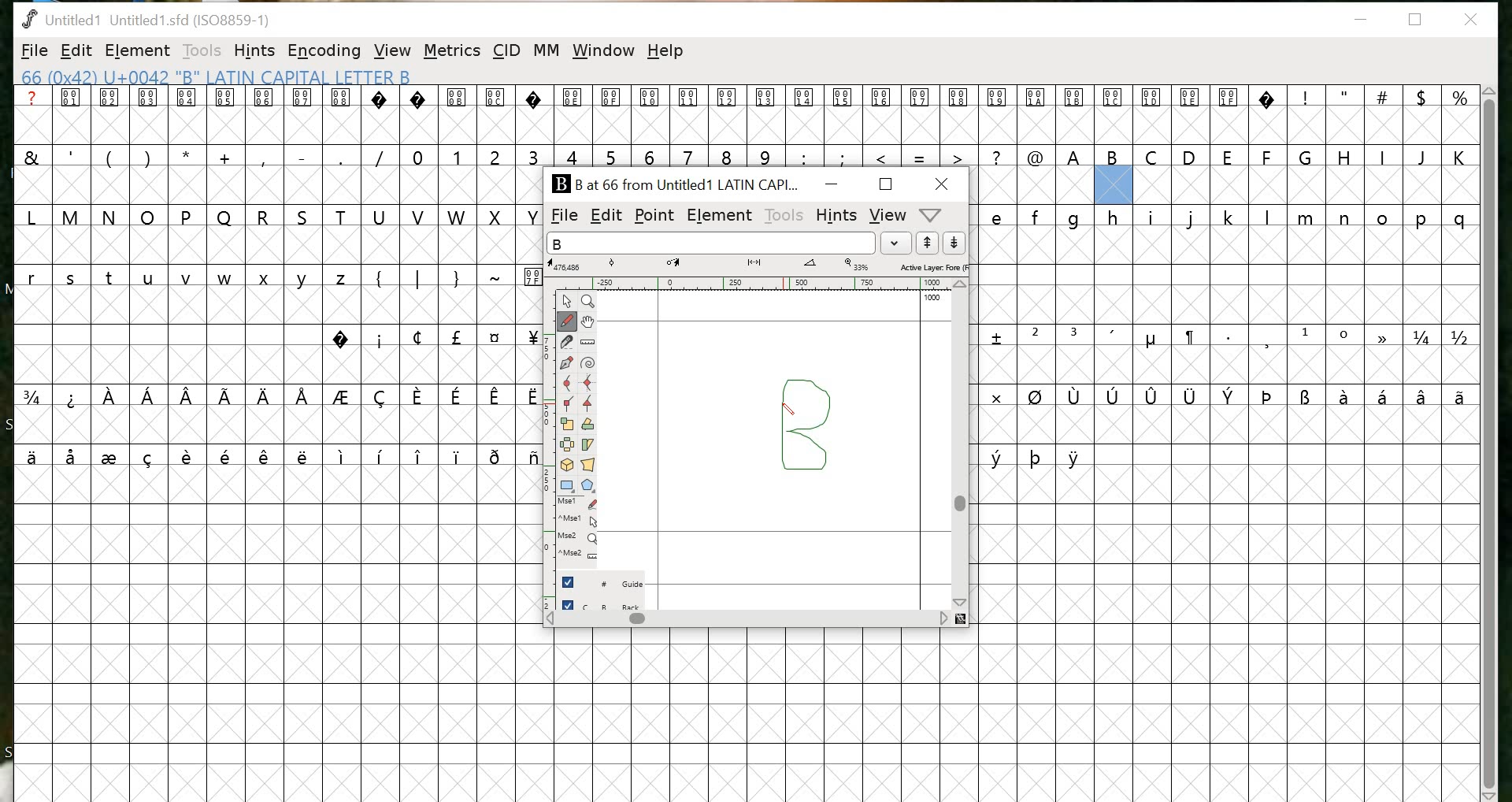  I want to click on Knife, so click(568, 344).